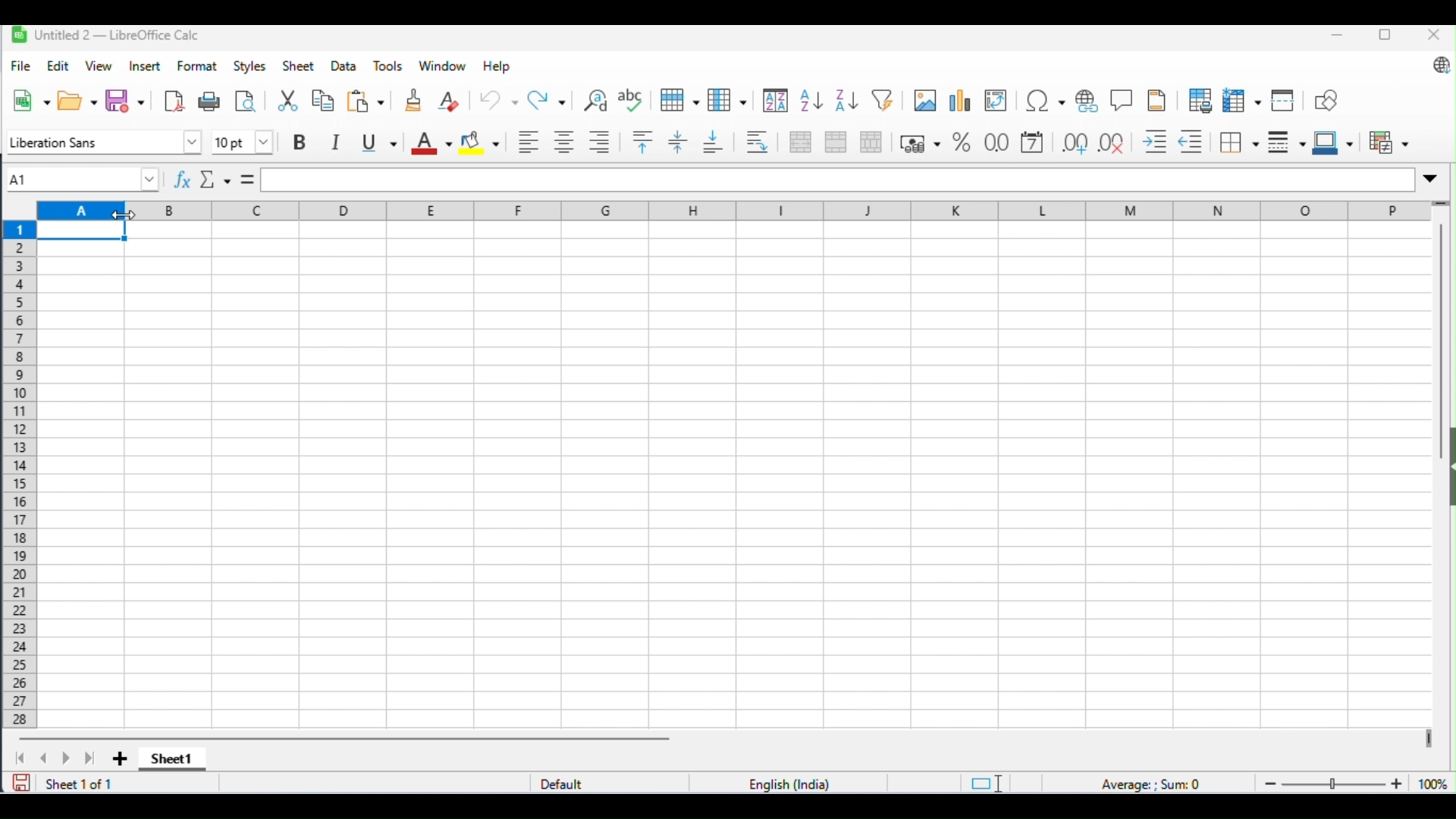 Image resolution: width=1456 pixels, height=819 pixels. I want to click on save, so click(126, 99).